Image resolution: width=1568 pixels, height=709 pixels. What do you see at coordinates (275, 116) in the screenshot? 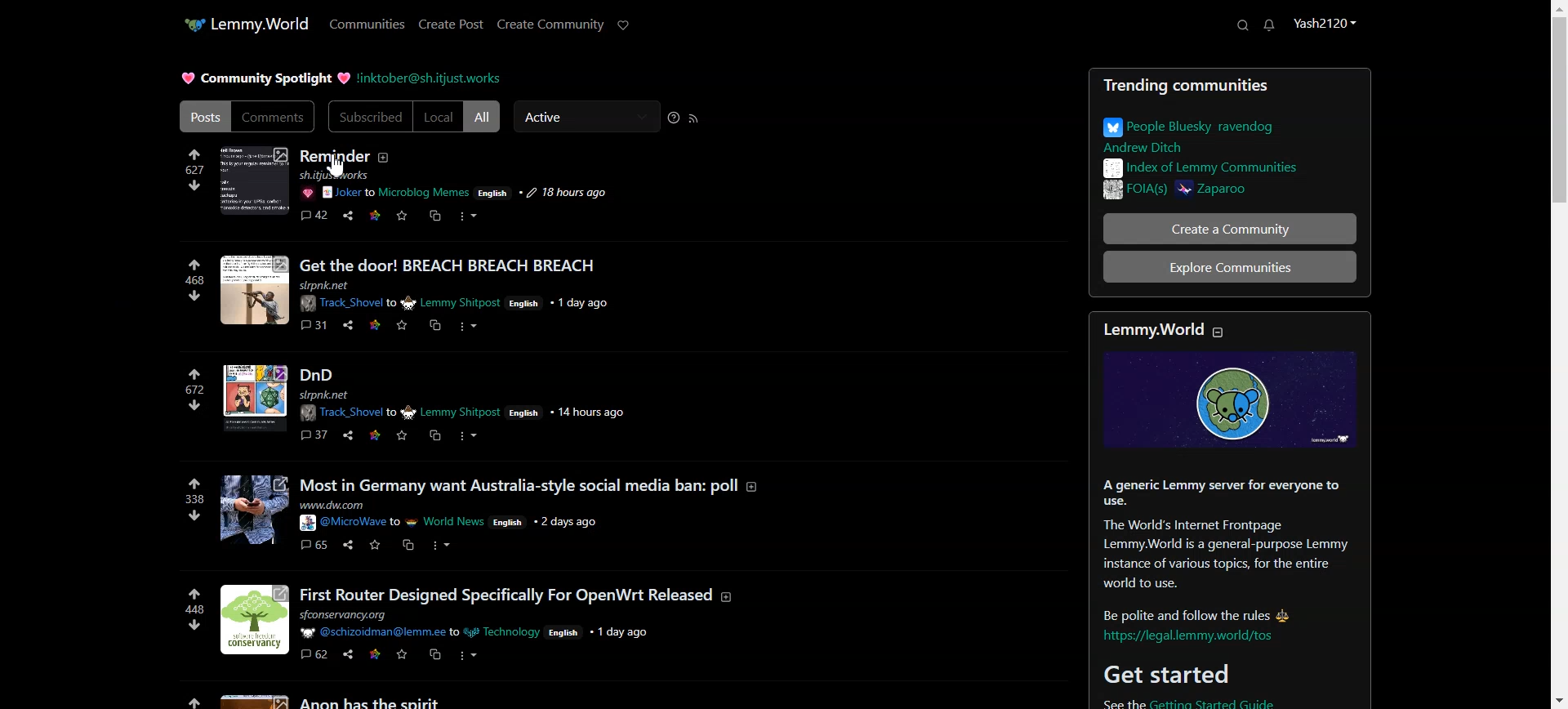
I see `Comments` at bounding box center [275, 116].